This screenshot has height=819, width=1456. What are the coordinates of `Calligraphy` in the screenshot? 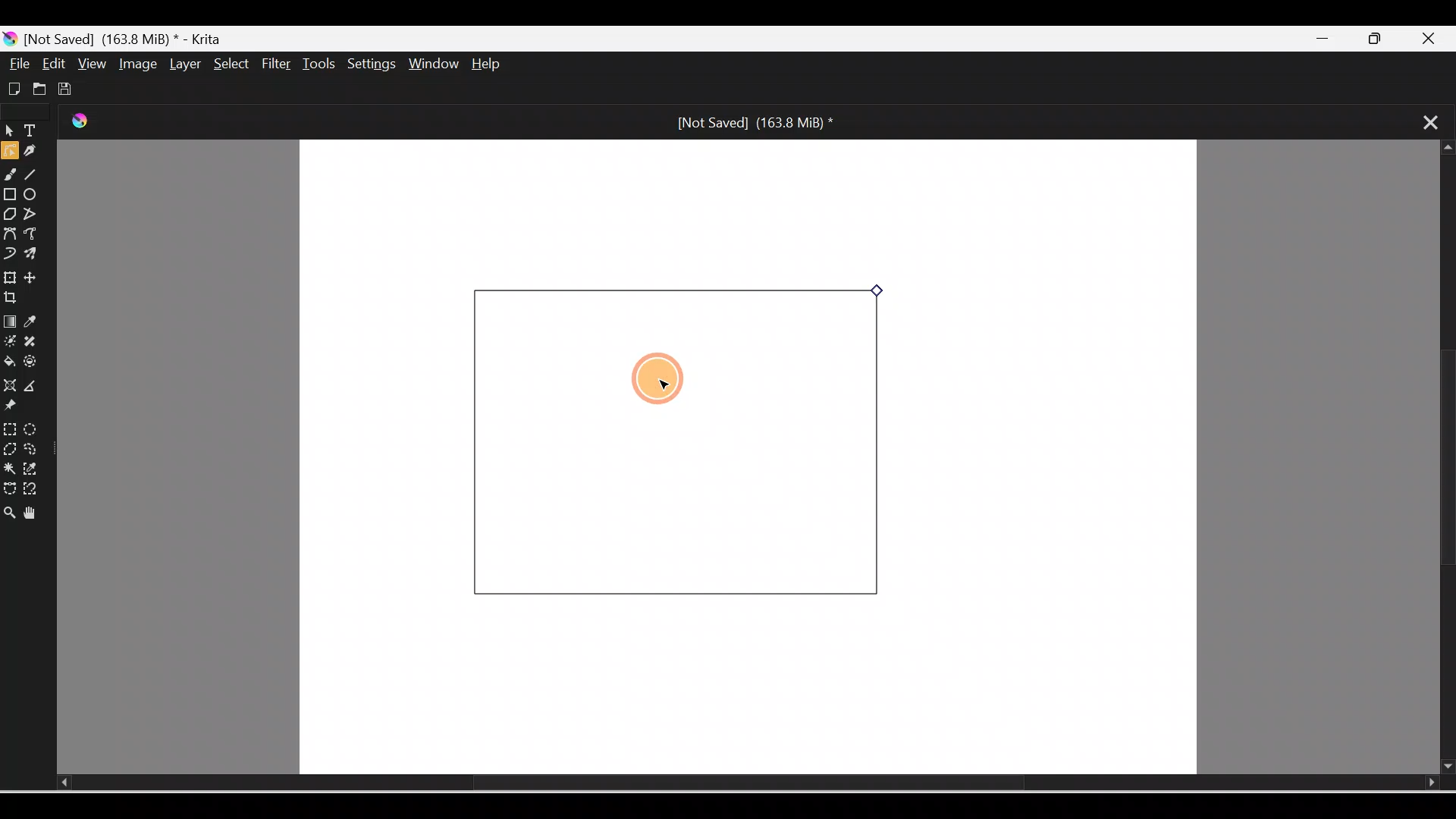 It's located at (36, 152).